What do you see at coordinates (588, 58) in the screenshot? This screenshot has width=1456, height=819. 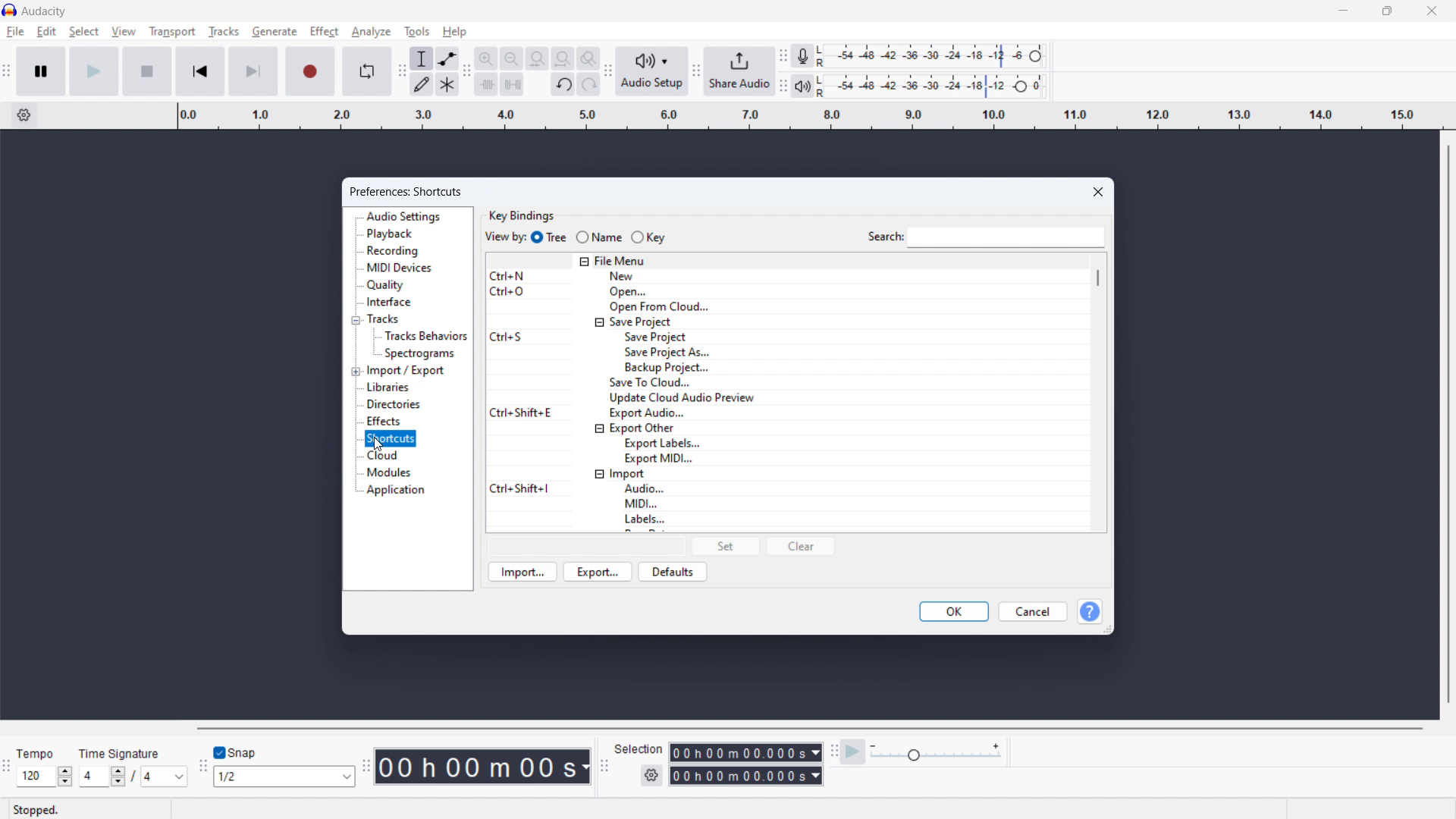 I see `toggle zoom` at bounding box center [588, 58].